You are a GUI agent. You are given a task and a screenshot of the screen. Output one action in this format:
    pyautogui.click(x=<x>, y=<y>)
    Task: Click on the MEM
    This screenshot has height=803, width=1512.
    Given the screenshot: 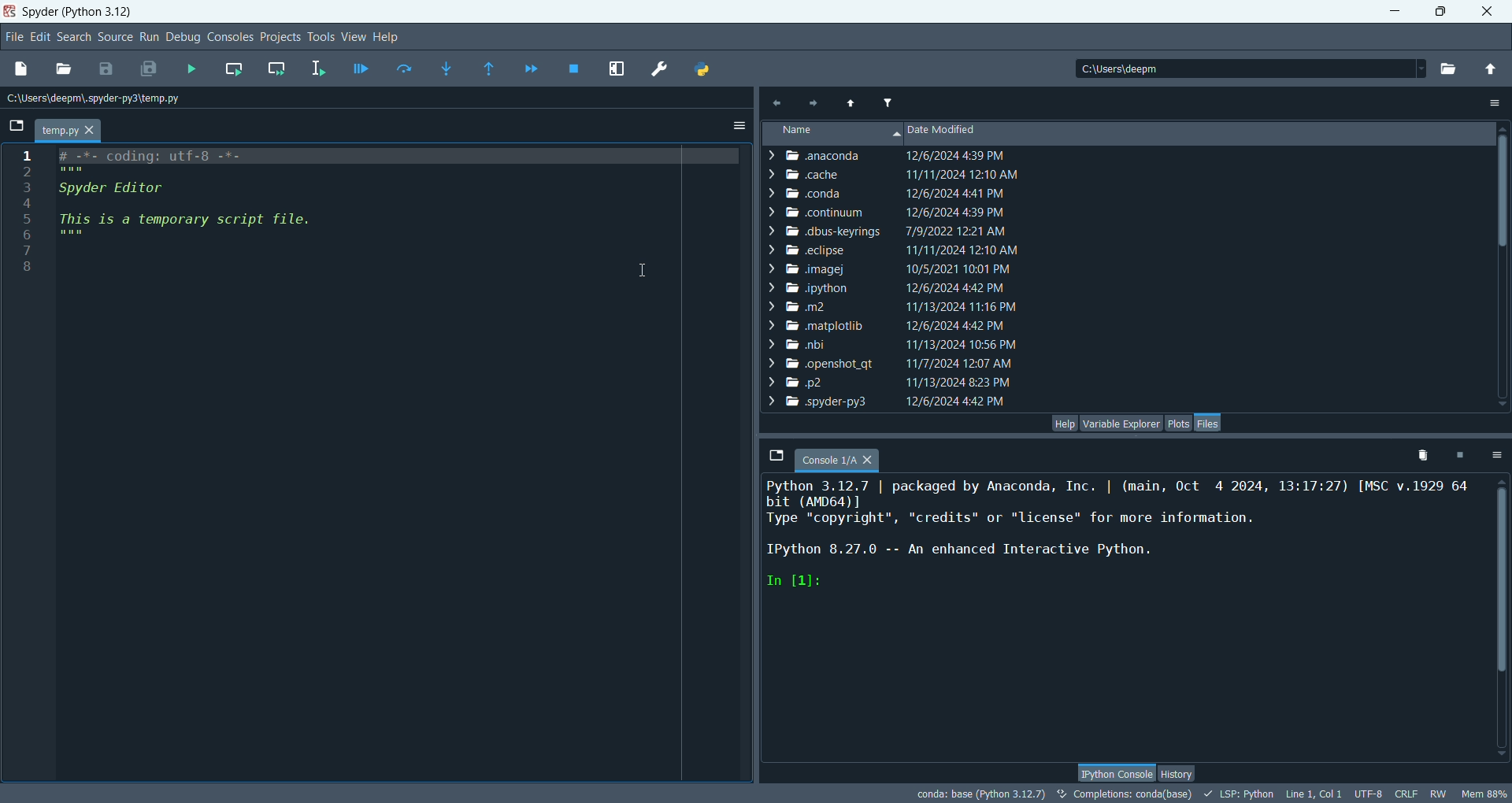 What is the action you would take?
    pyautogui.click(x=1485, y=794)
    